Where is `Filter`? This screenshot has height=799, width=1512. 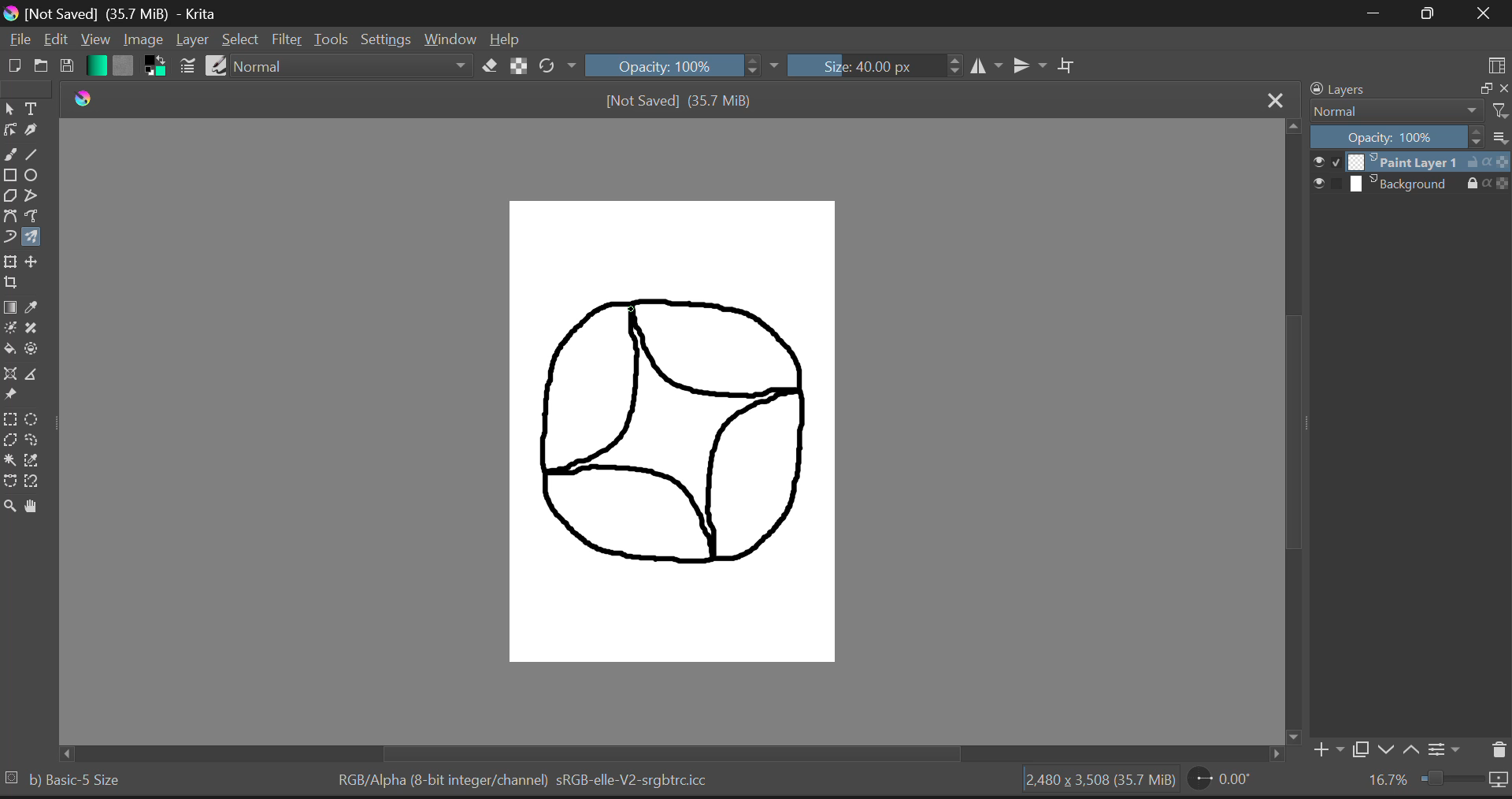
Filter is located at coordinates (288, 40).